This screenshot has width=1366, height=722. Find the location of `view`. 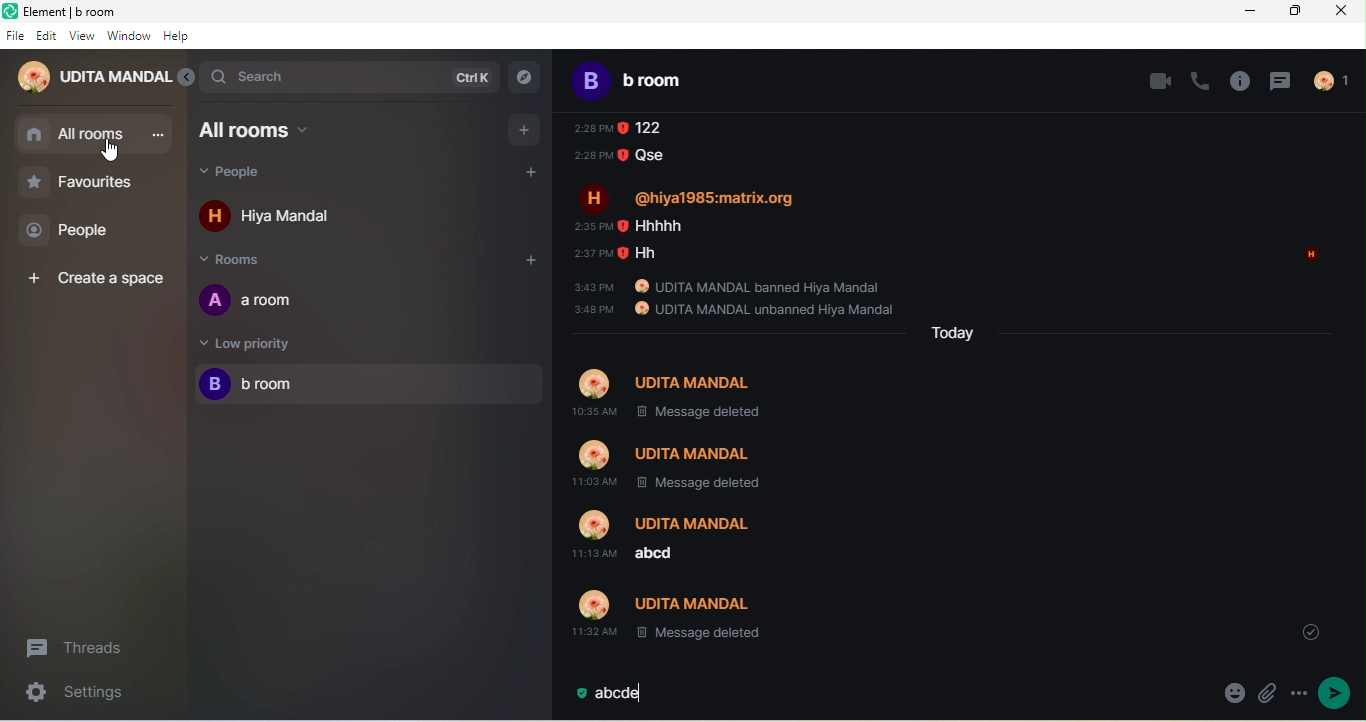

view is located at coordinates (82, 38).